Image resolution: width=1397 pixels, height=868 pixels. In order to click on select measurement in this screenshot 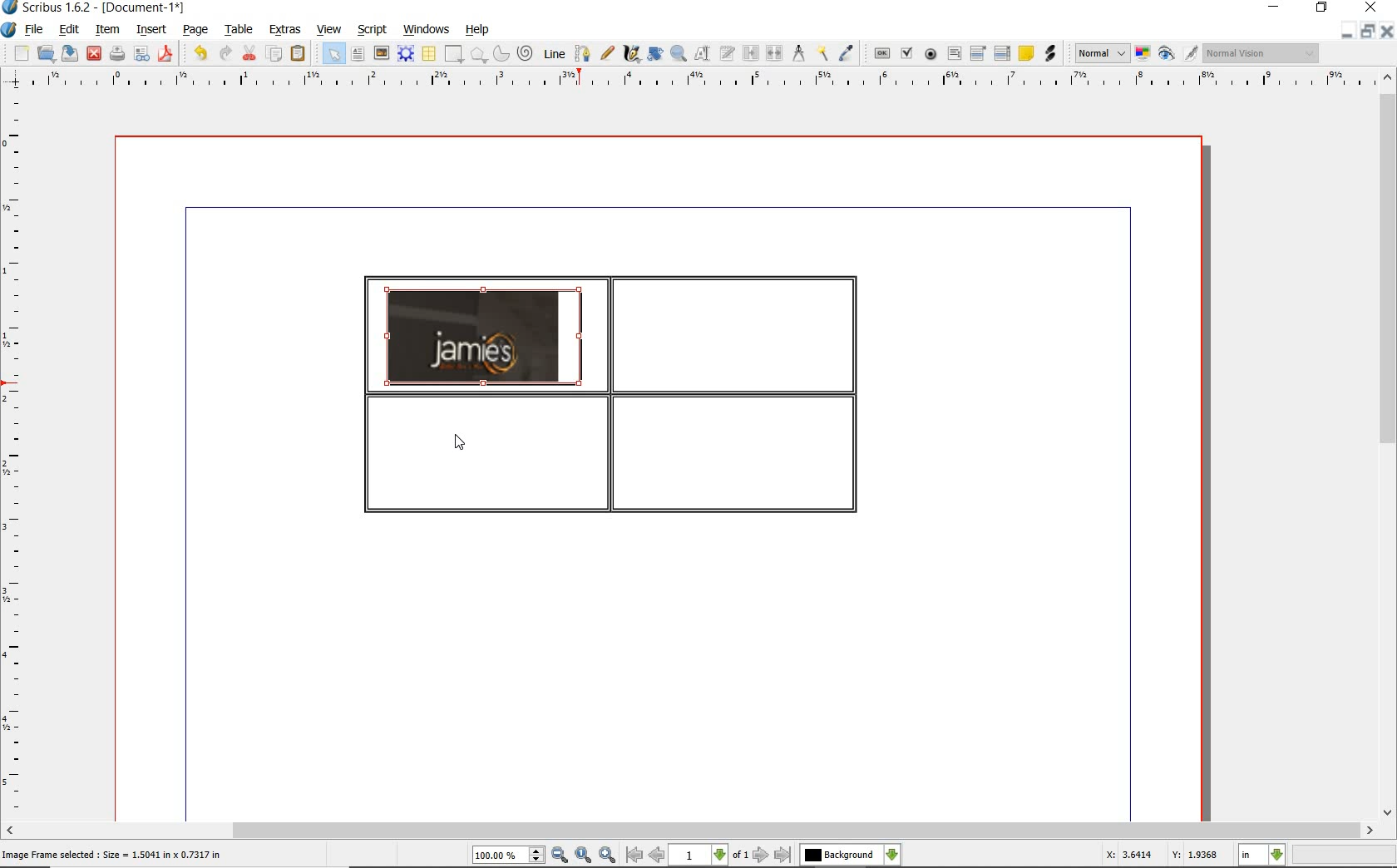, I will do `click(1262, 855)`.